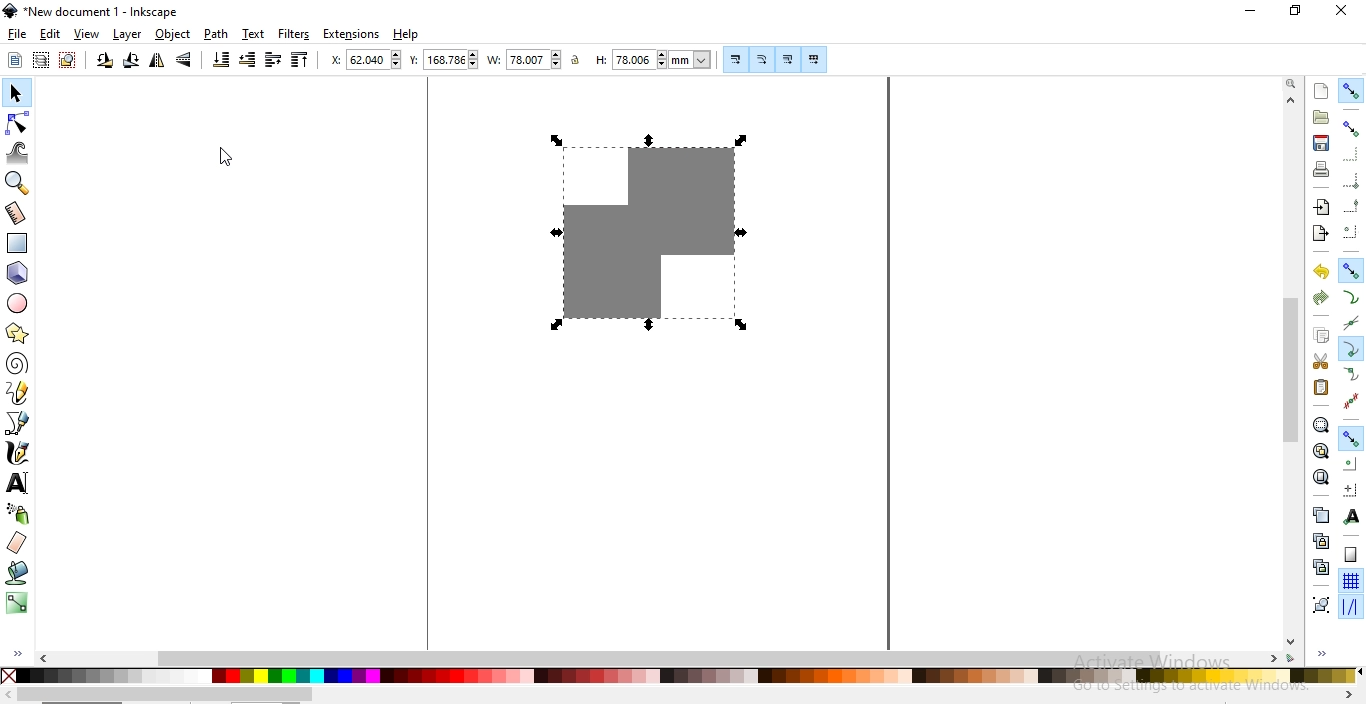 Image resolution: width=1366 pixels, height=704 pixels. I want to click on snap other points, so click(1352, 436).